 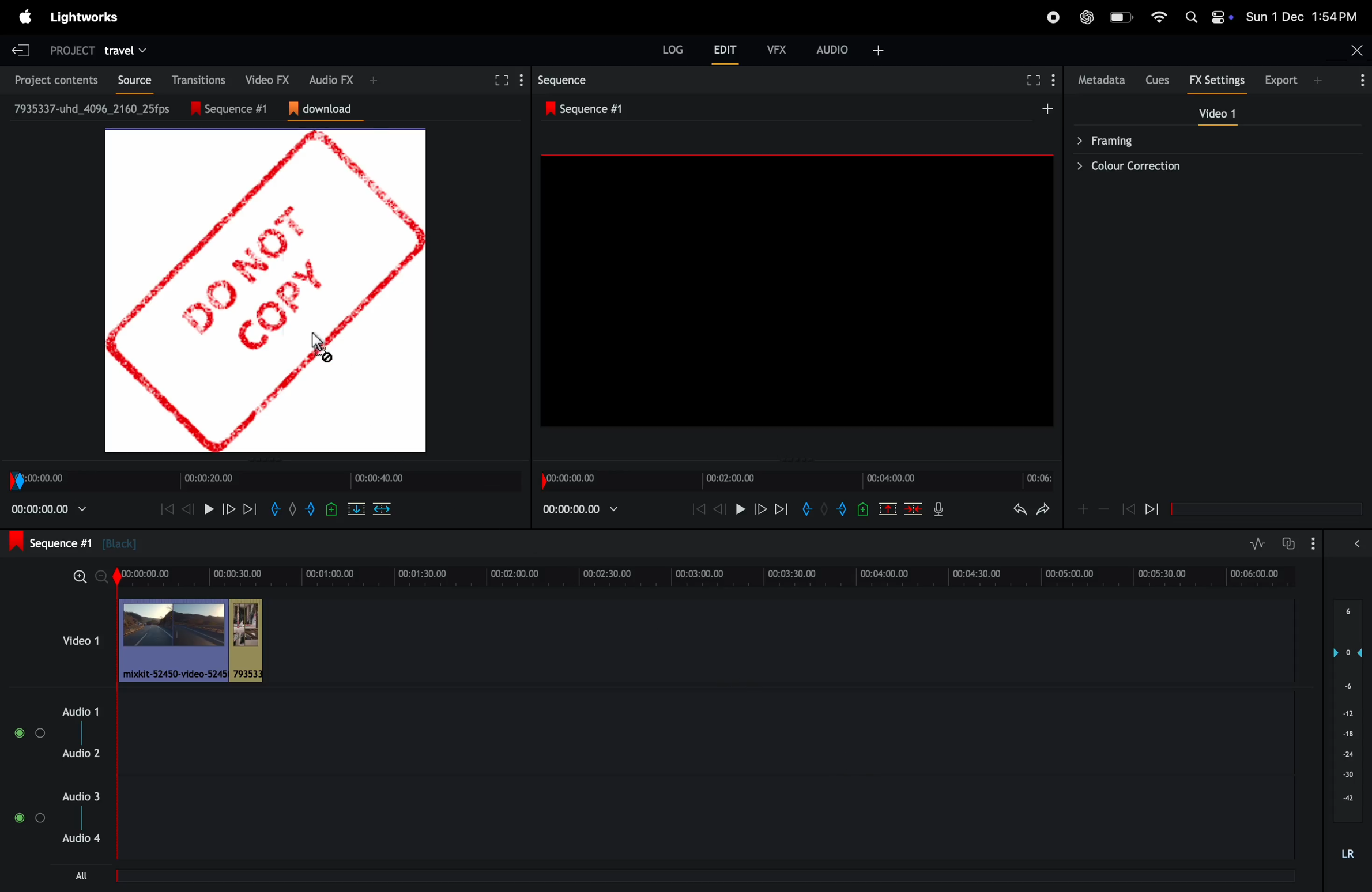 I want to click on rewind, so click(x=1152, y=508).